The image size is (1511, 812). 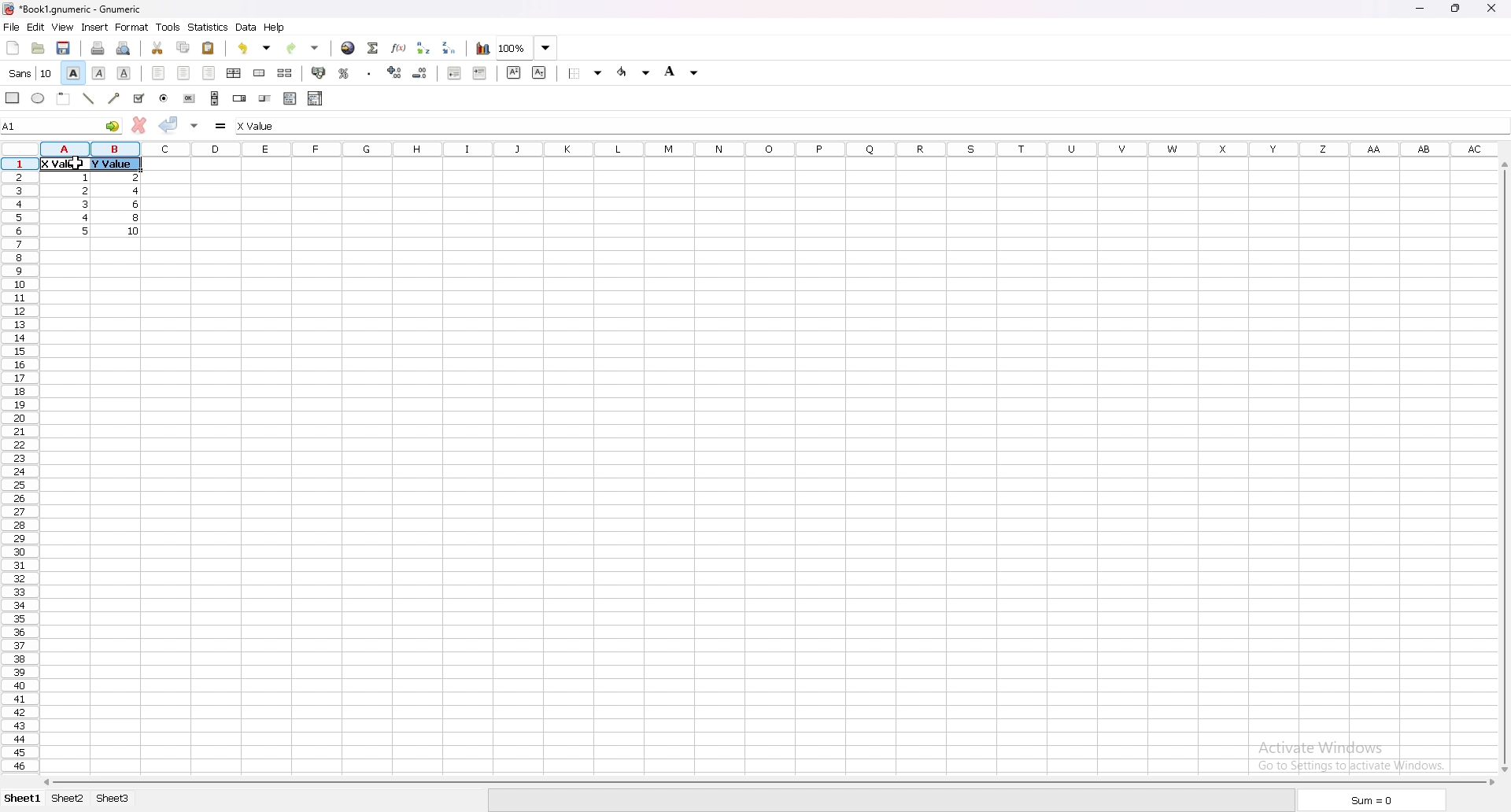 I want to click on subscript, so click(x=540, y=72).